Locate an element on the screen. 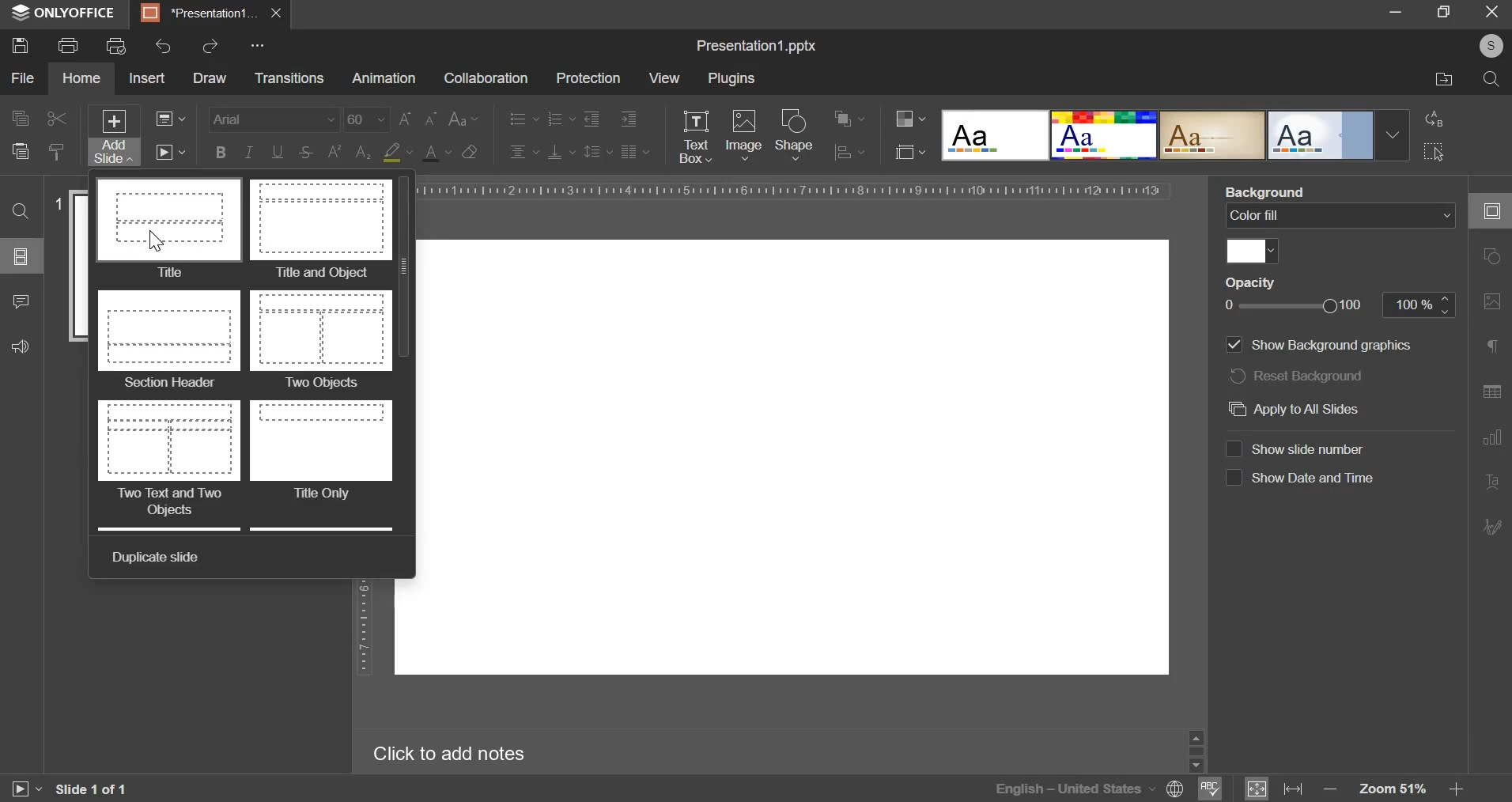 The height and width of the screenshot is (802, 1512). table settings is located at coordinates (1491, 392).